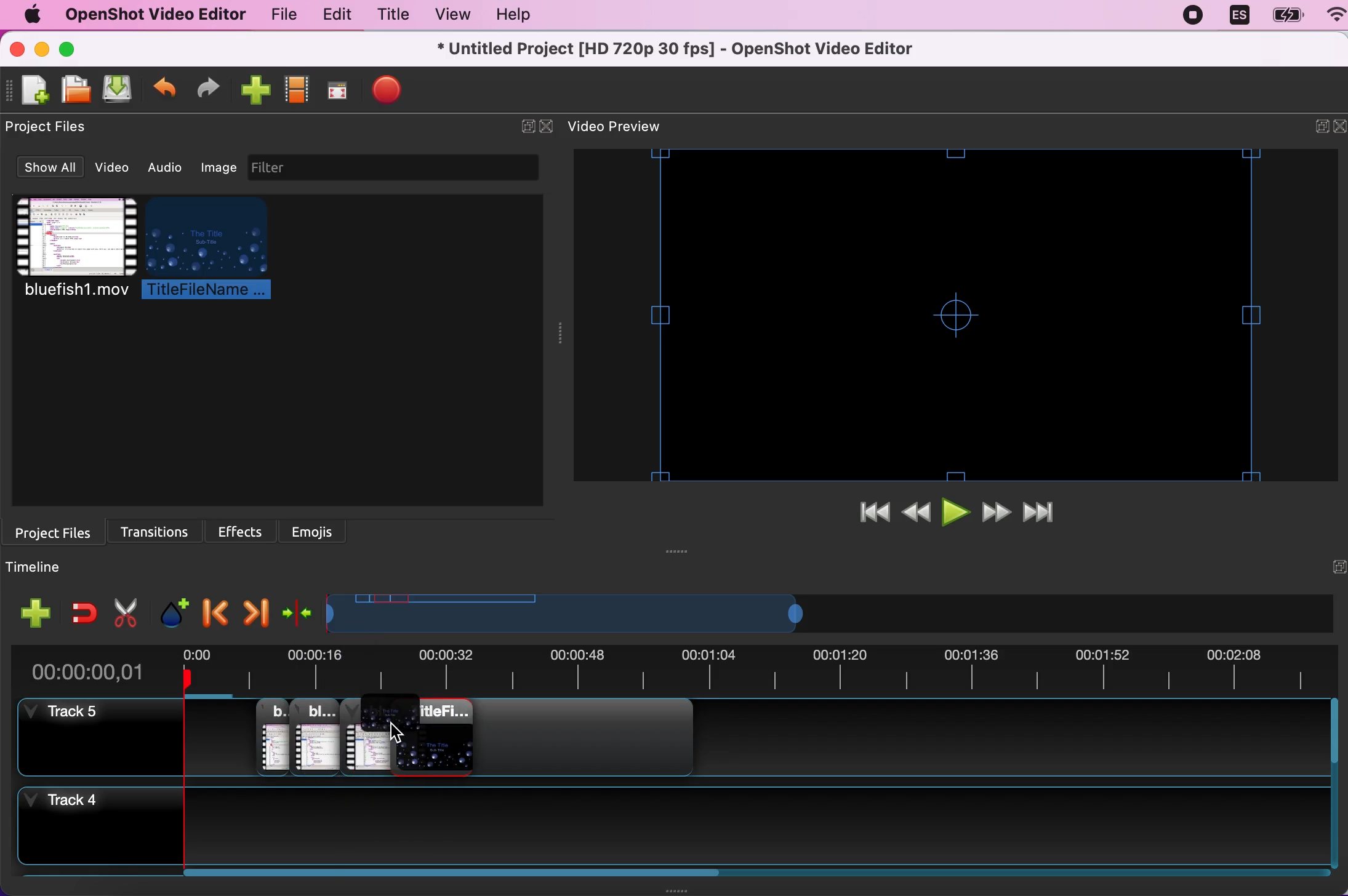 The height and width of the screenshot is (896, 1348). I want to click on transitions, so click(161, 529).